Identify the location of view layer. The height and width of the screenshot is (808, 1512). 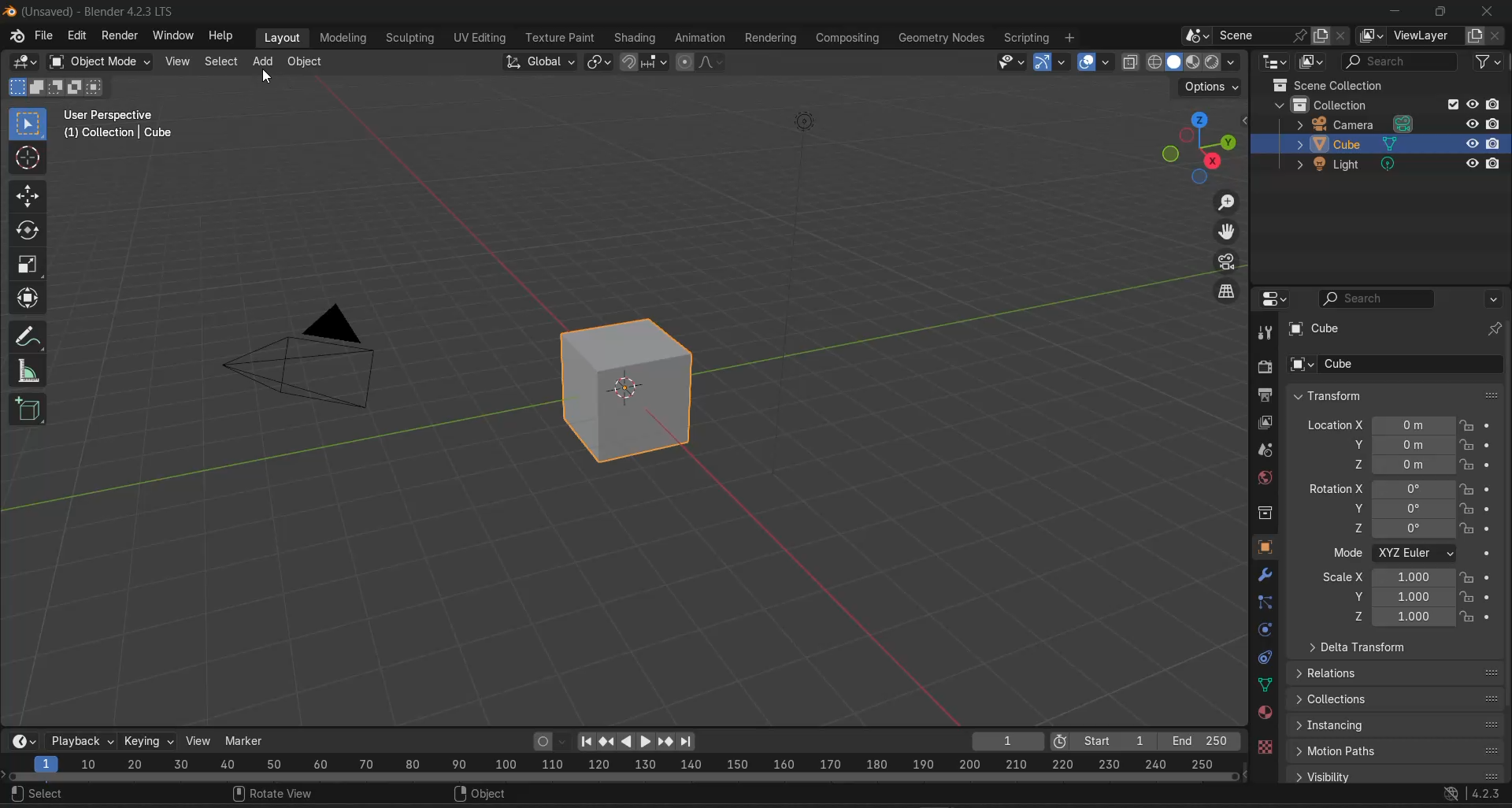
(1265, 422).